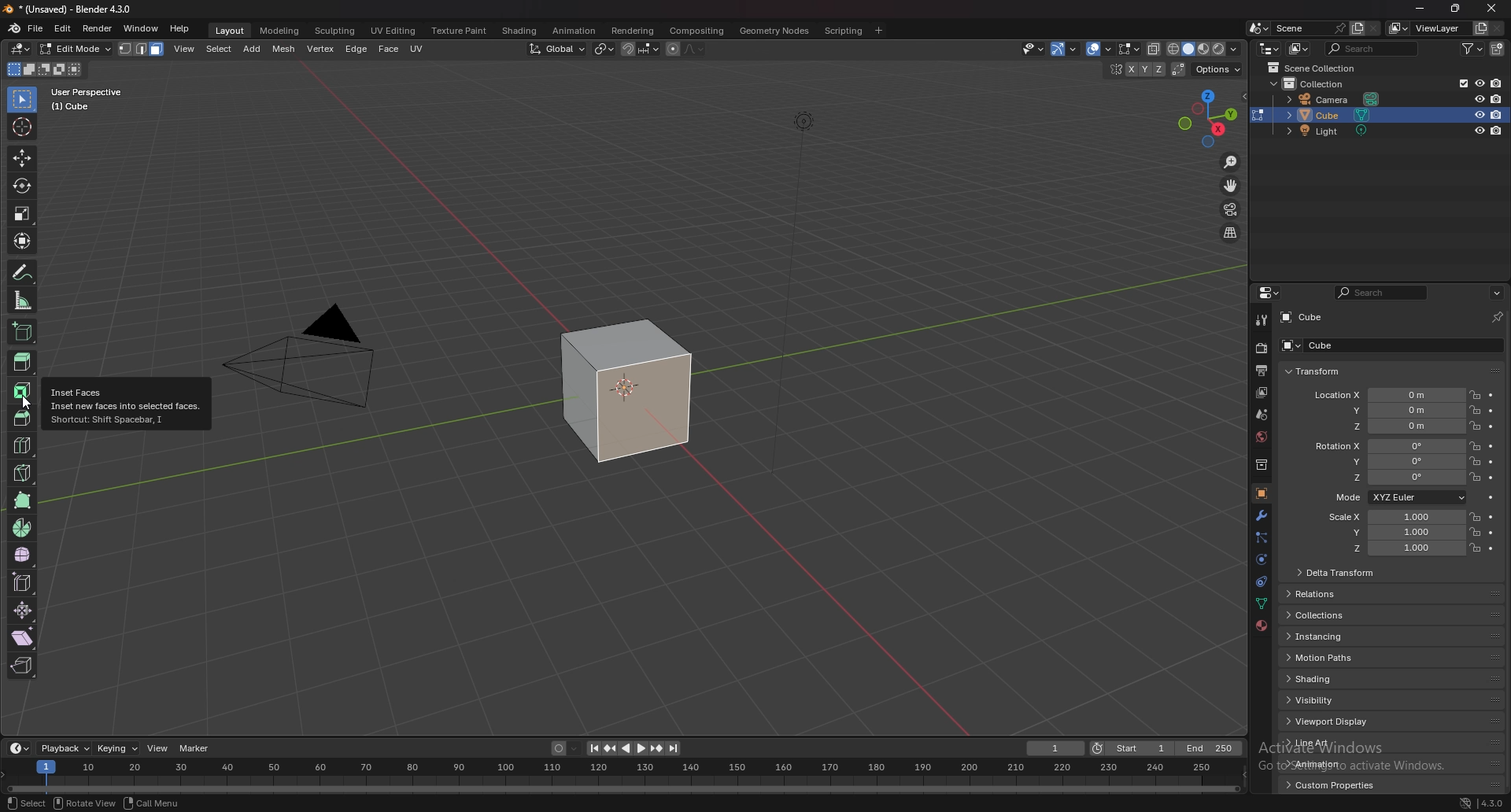 The height and width of the screenshot is (812, 1511). I want to click on location z, so click(1389, 426).